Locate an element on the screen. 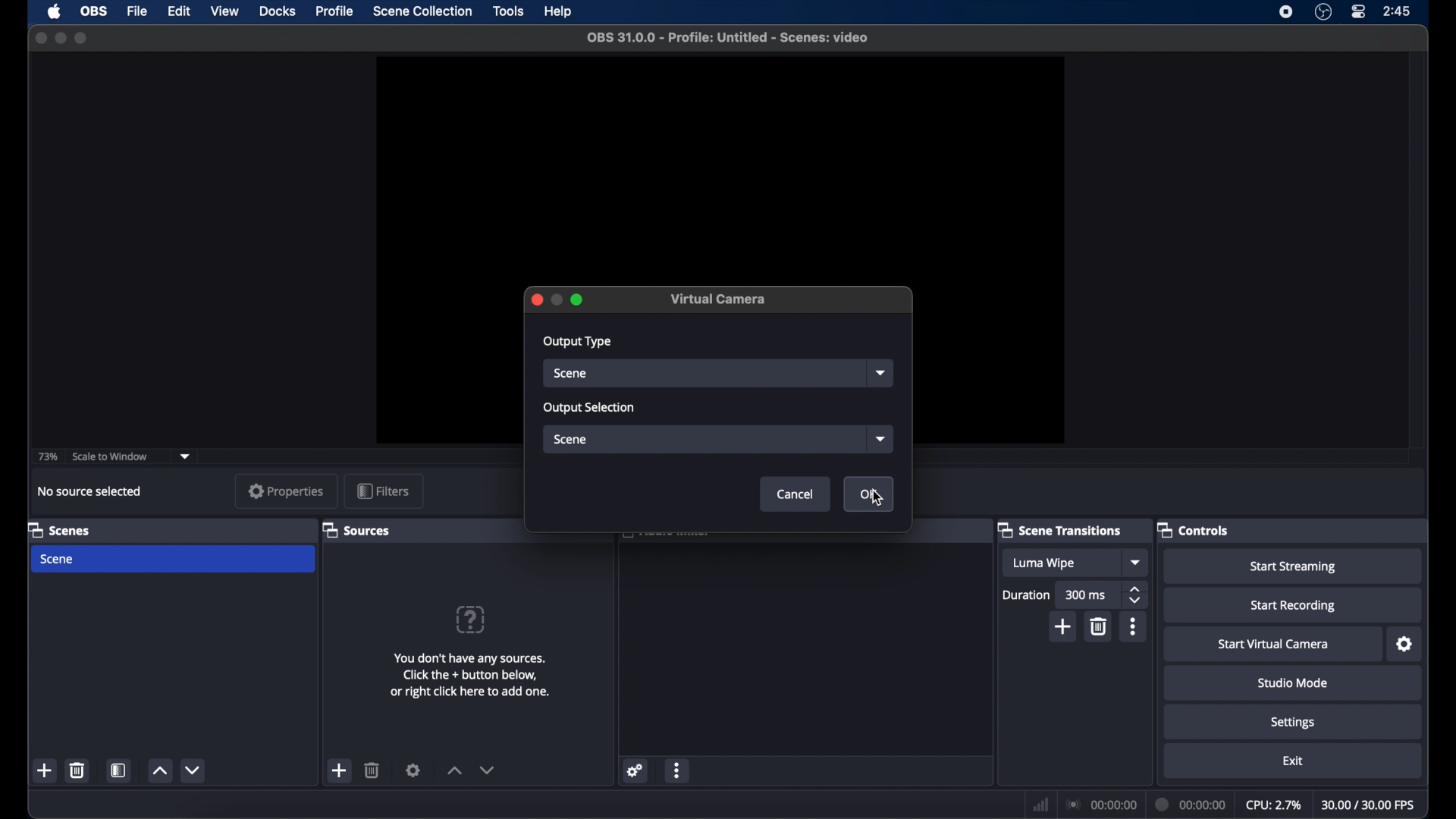 This screenshot has height=819, width=1456. profile is located at coordinates (334, 12).